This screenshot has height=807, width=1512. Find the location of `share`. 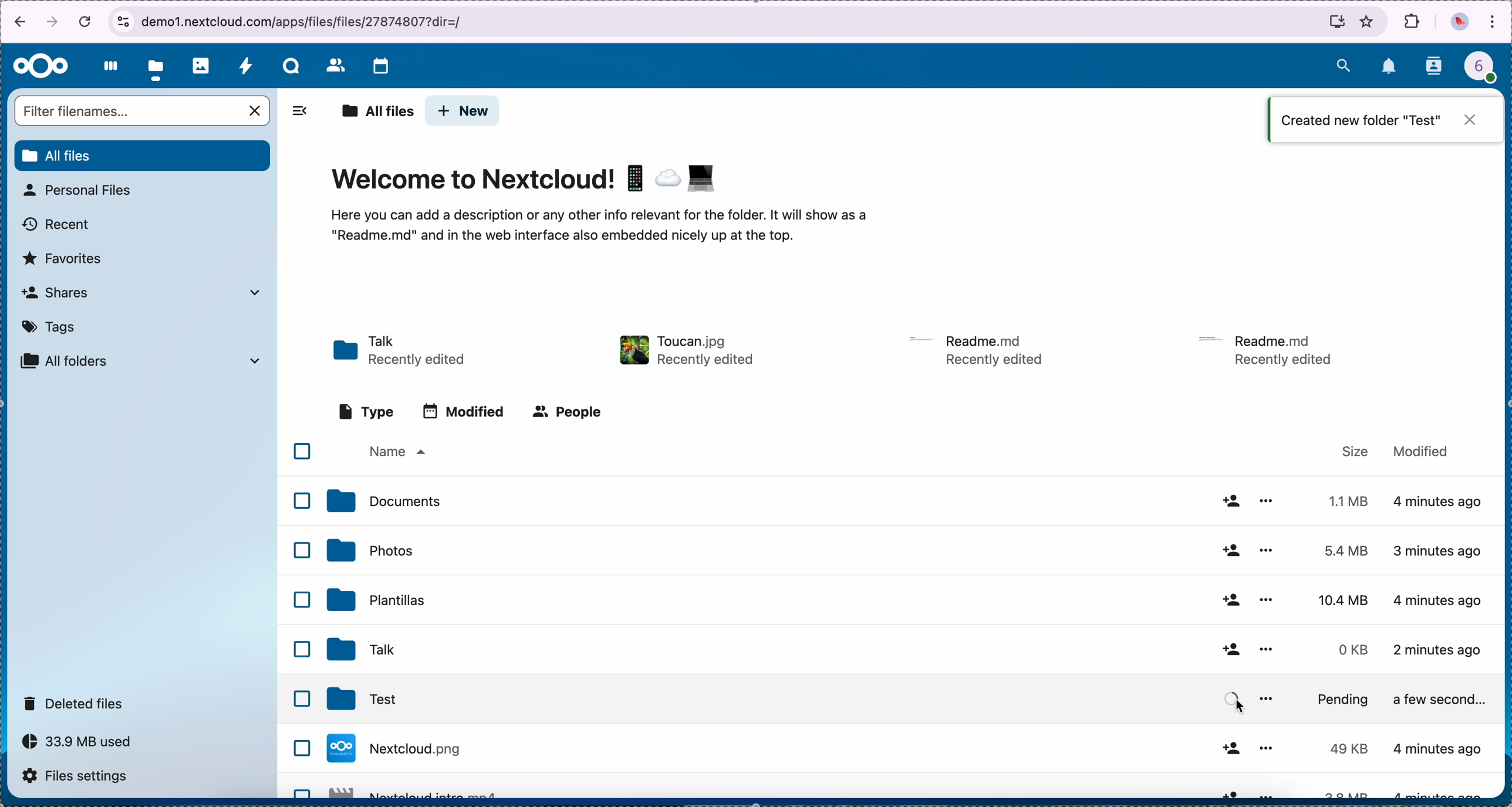

share is located at coordinates (1229, 748).